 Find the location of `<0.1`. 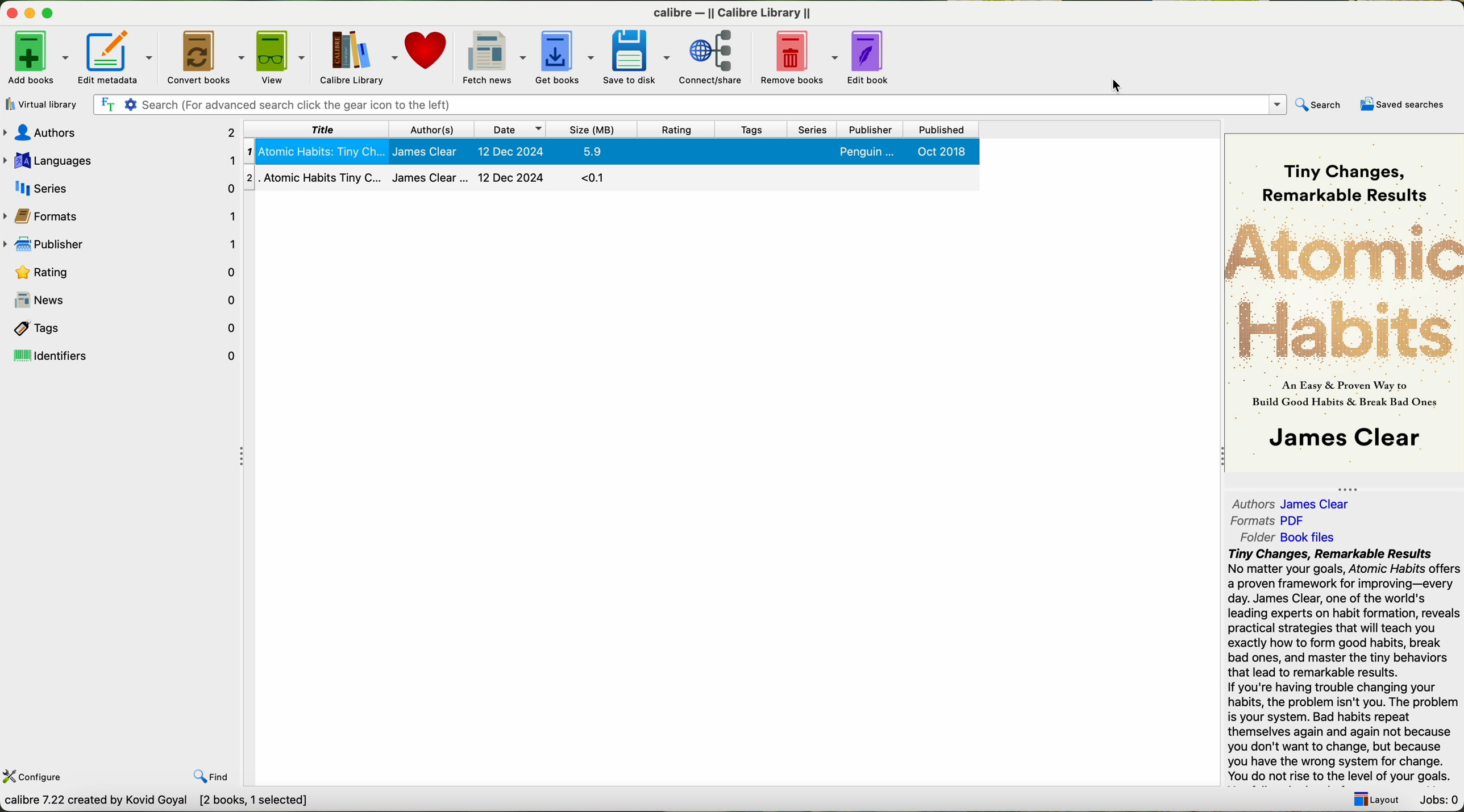

<0.1 is located at coordinates (603, 177).